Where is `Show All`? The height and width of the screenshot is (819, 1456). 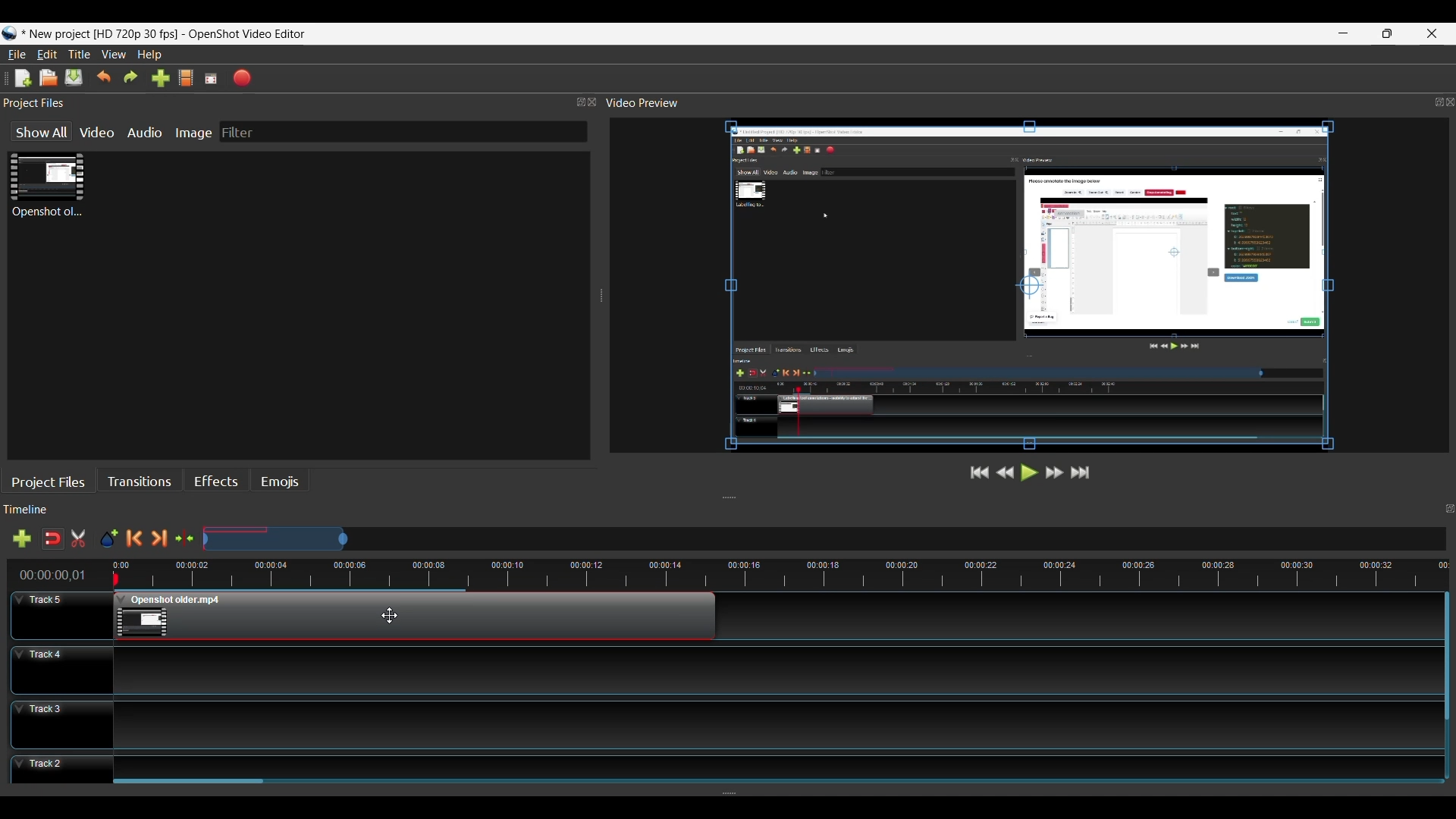
Show All is located at coordinates (39, 132).